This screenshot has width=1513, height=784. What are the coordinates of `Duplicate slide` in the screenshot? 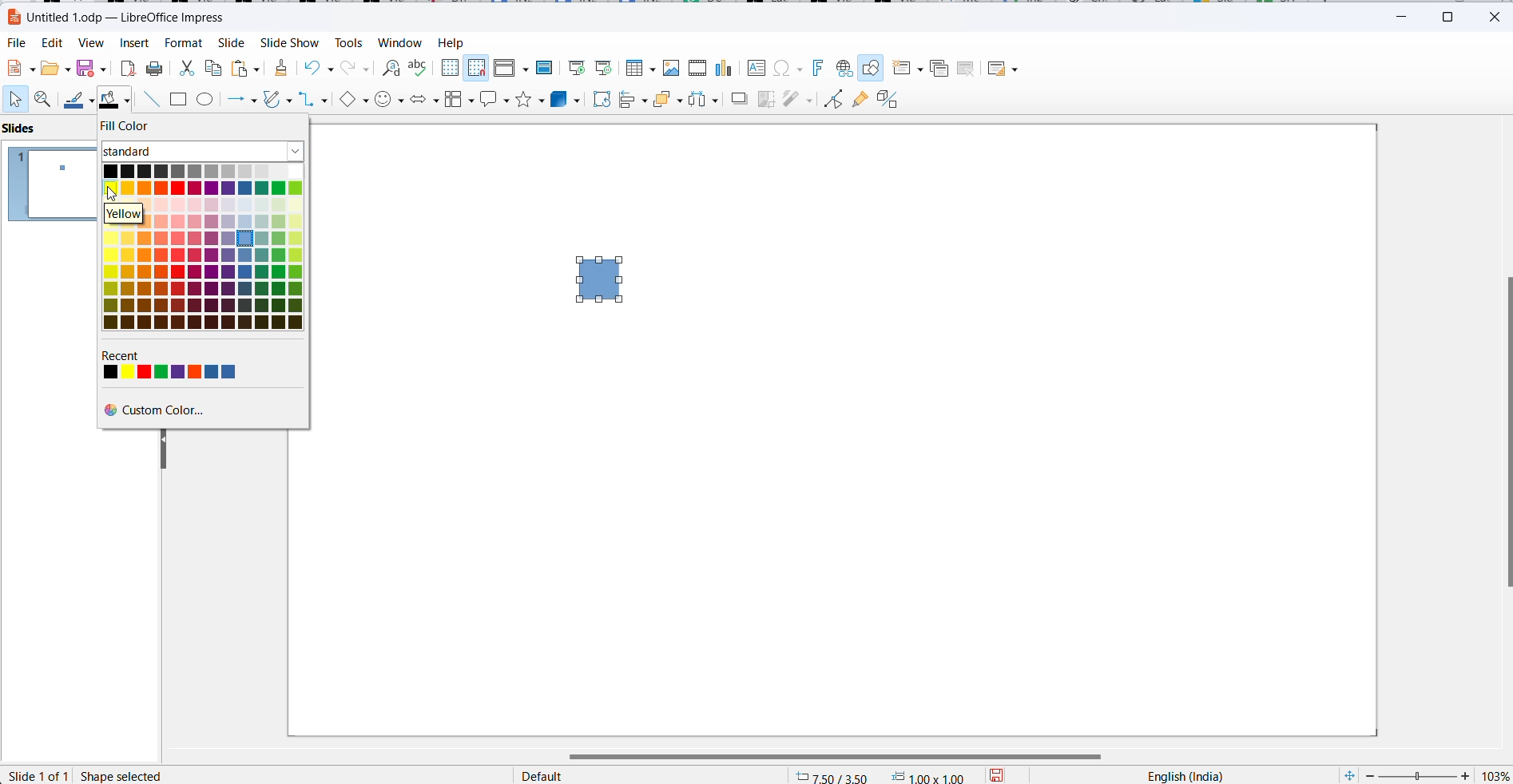 It's located at (939, 69).